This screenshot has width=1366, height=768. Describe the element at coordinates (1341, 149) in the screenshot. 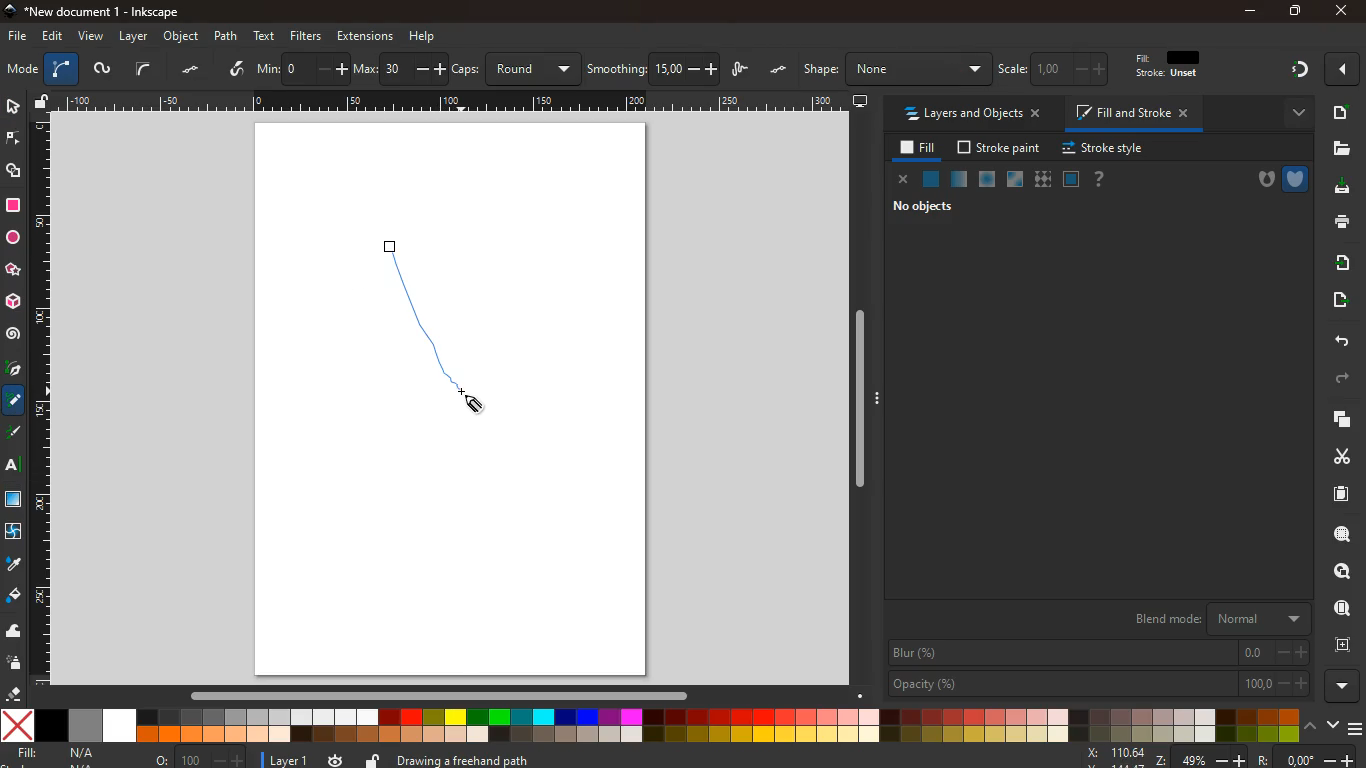

I see `files` at that location.